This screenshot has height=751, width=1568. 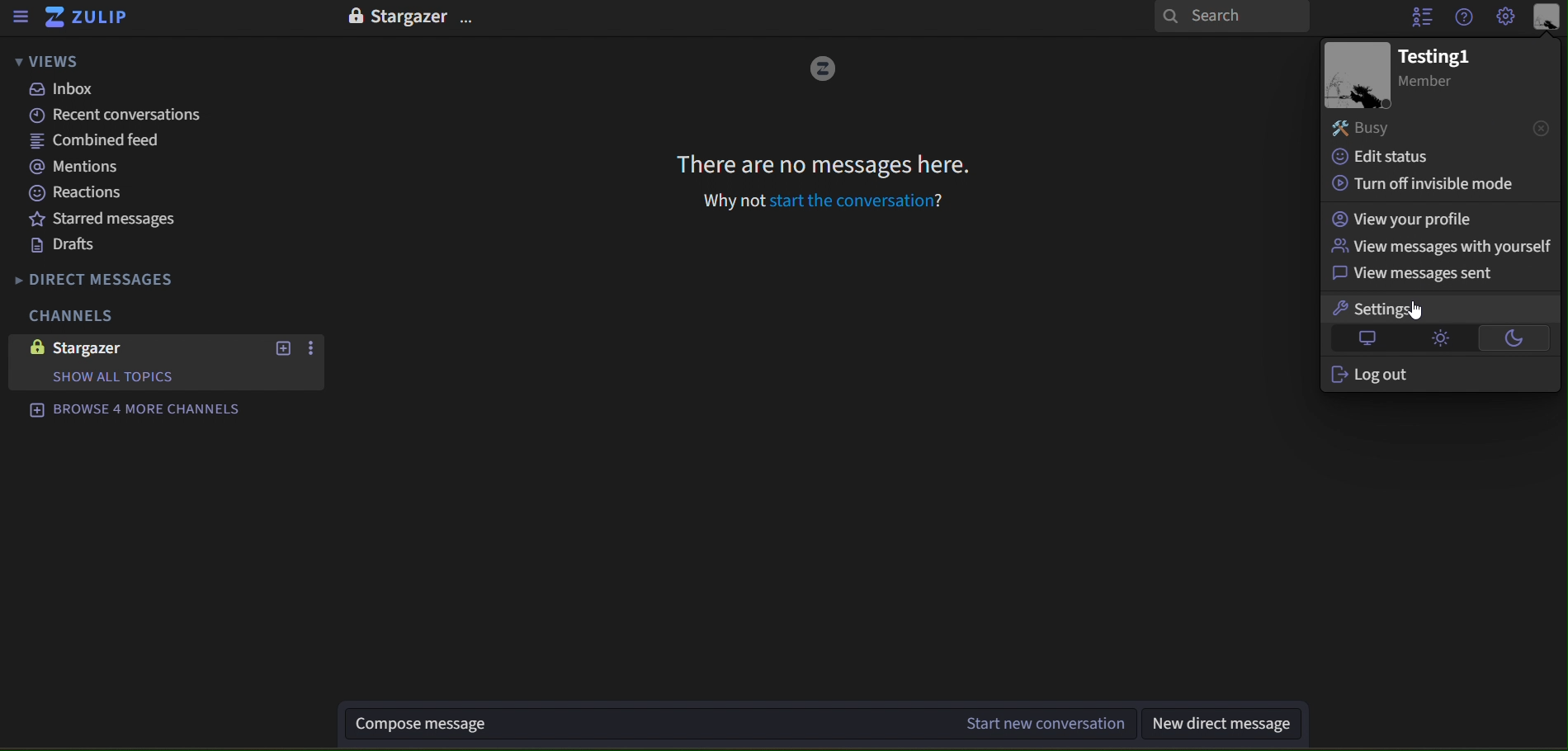 I want to click on new topic, so click(x=285, y=347).